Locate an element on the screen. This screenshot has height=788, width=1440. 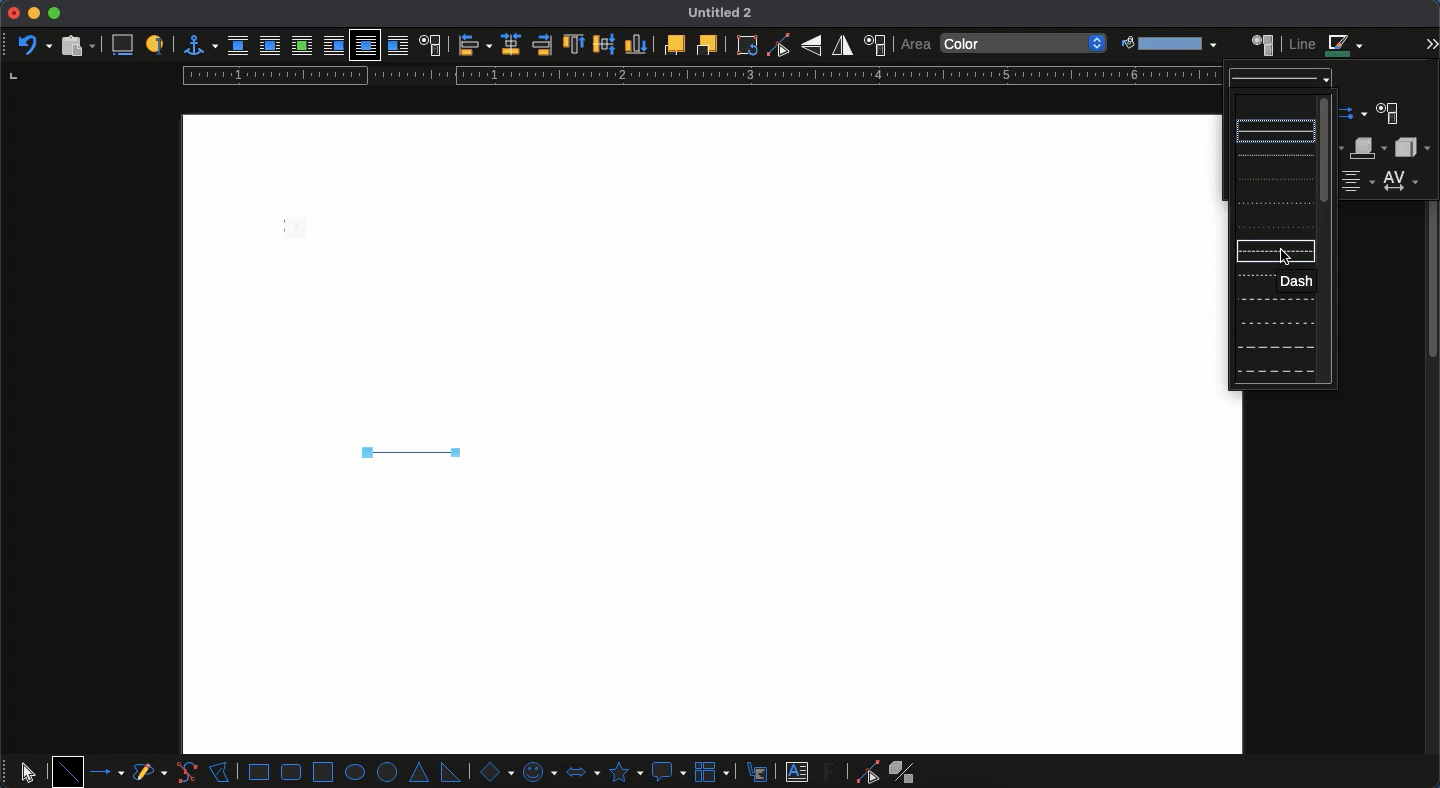
Line is located at coordinates (408, 452).